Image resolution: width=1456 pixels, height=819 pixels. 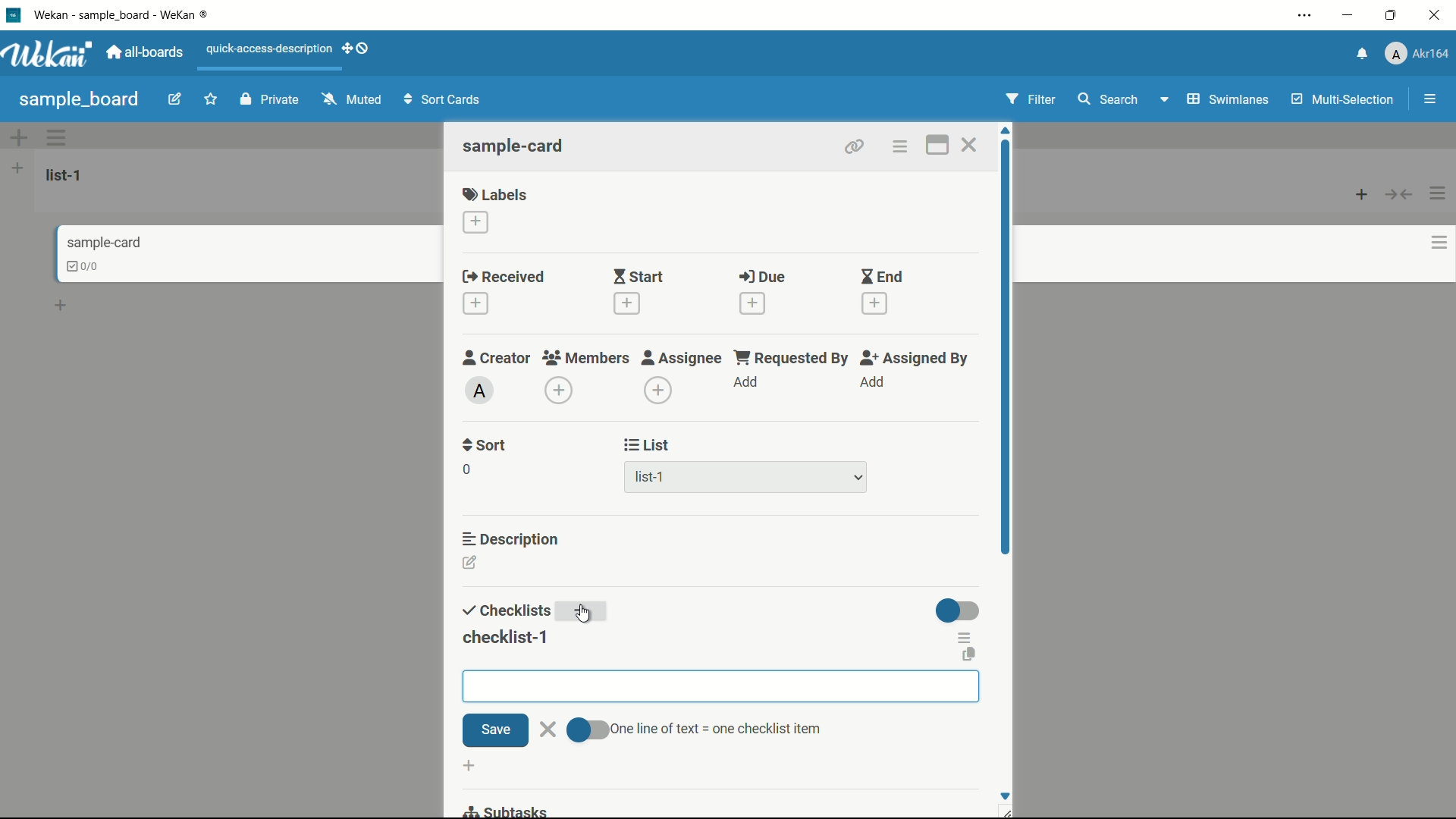 I want to click on settings and more, so click(x=1307, y=17).